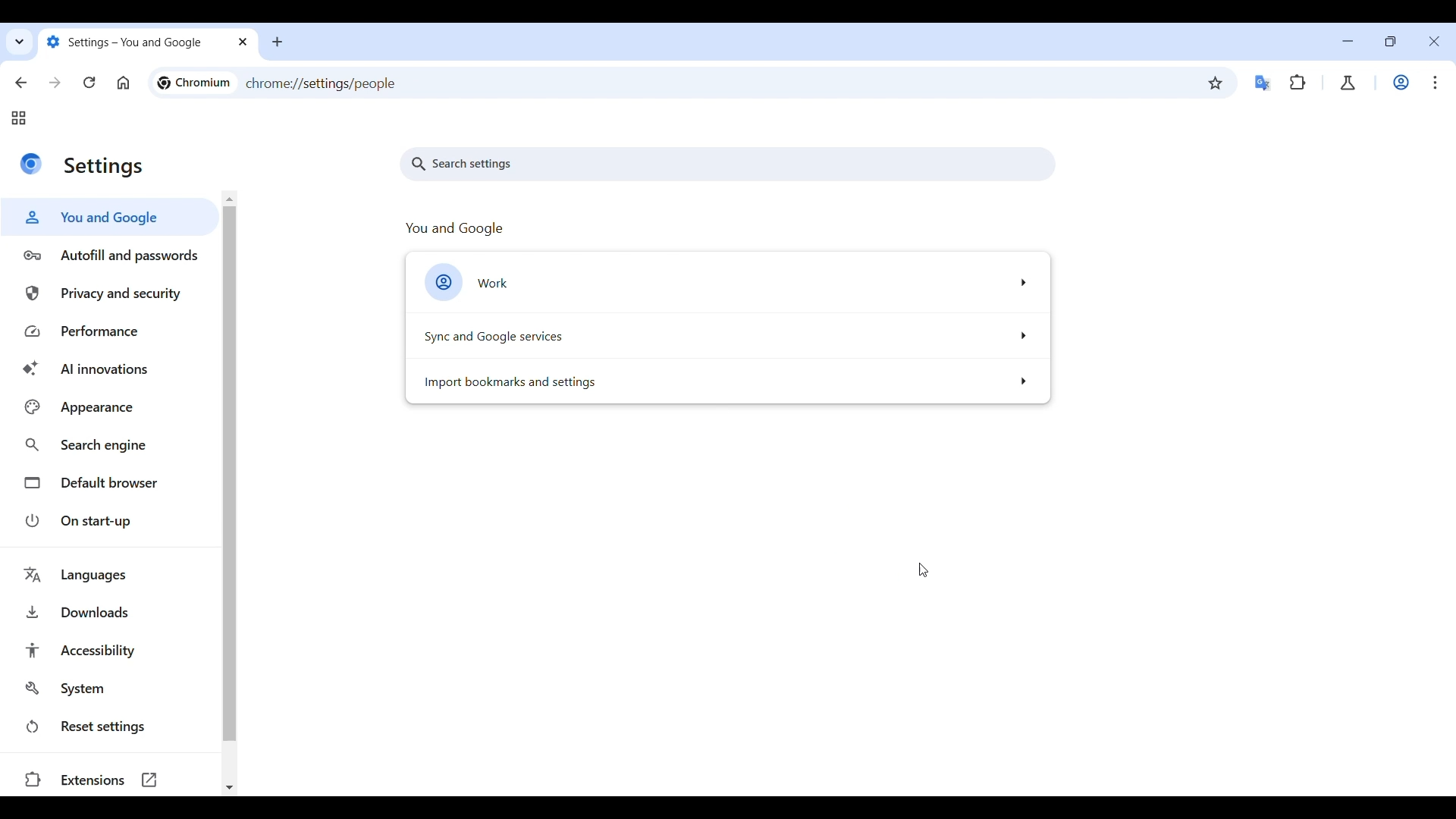  What do you see at coordinates (1436, 83) in the screenshot?
I see `Customize and control Chromium highlighted` at bounding box center [1436, 83].